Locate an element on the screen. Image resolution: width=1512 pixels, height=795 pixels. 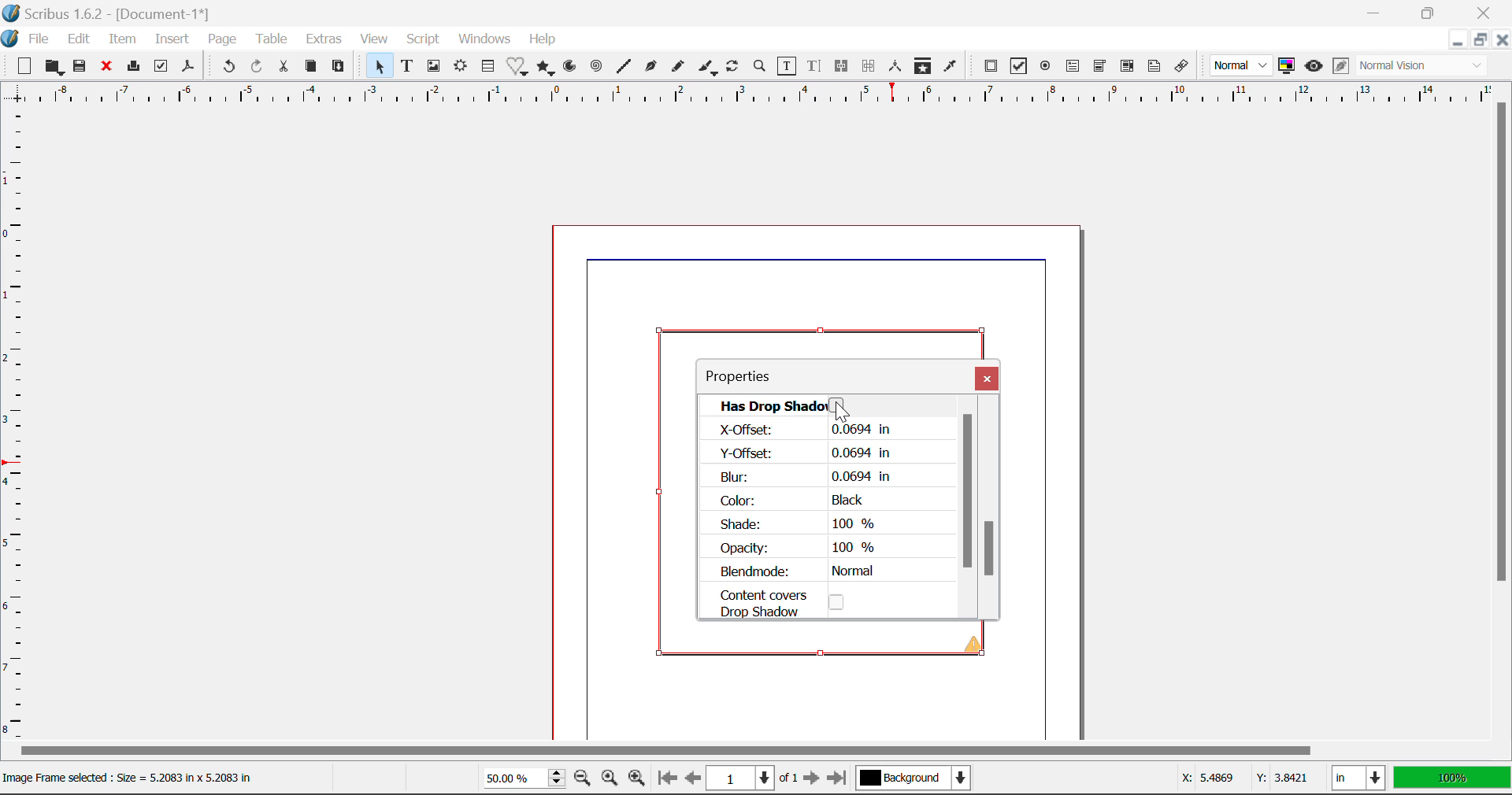
Edit in preview mode is located at coordinates (1341, 68).